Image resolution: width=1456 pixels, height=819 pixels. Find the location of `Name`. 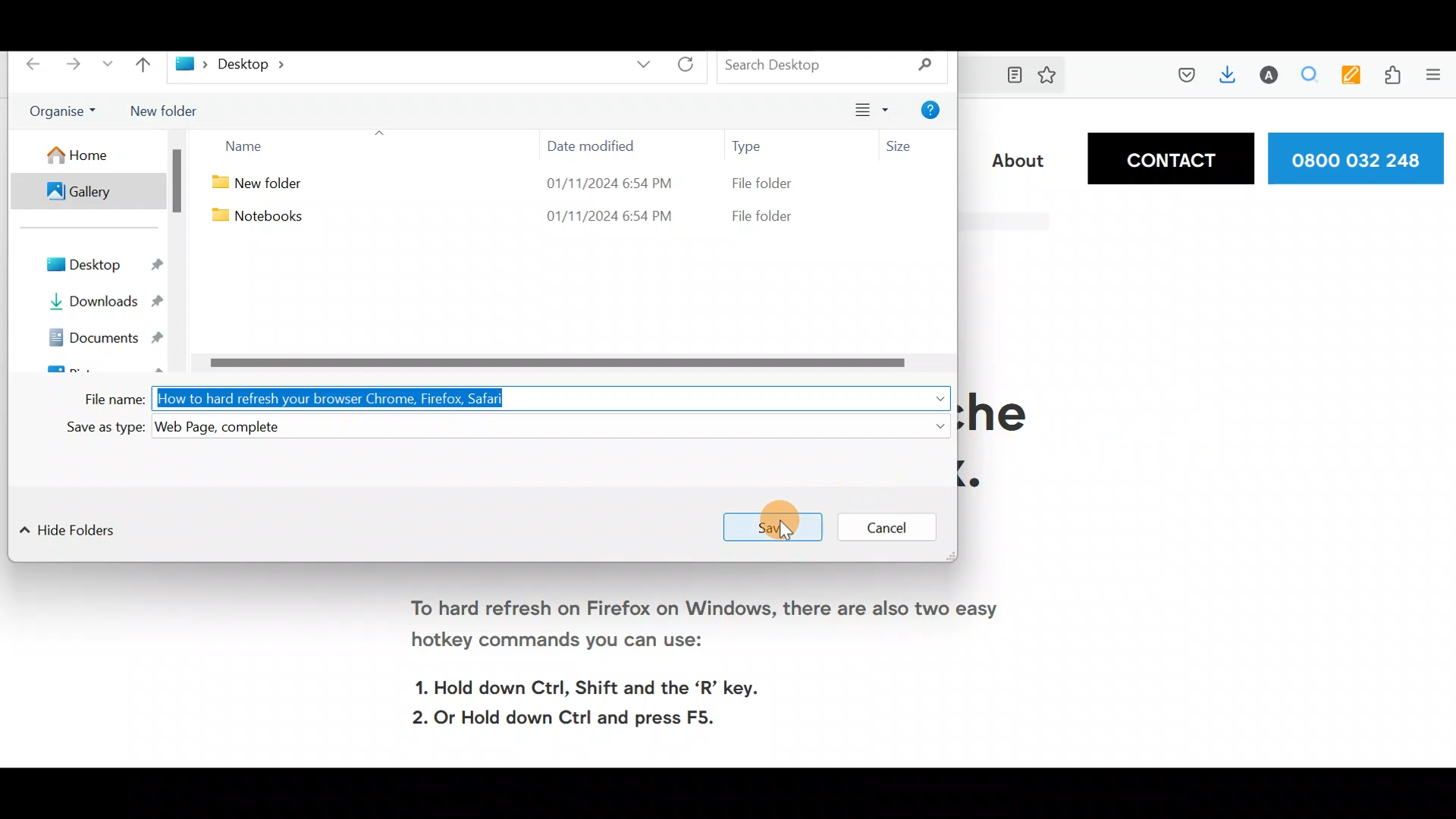

Name is located at coordinates (347, 147).